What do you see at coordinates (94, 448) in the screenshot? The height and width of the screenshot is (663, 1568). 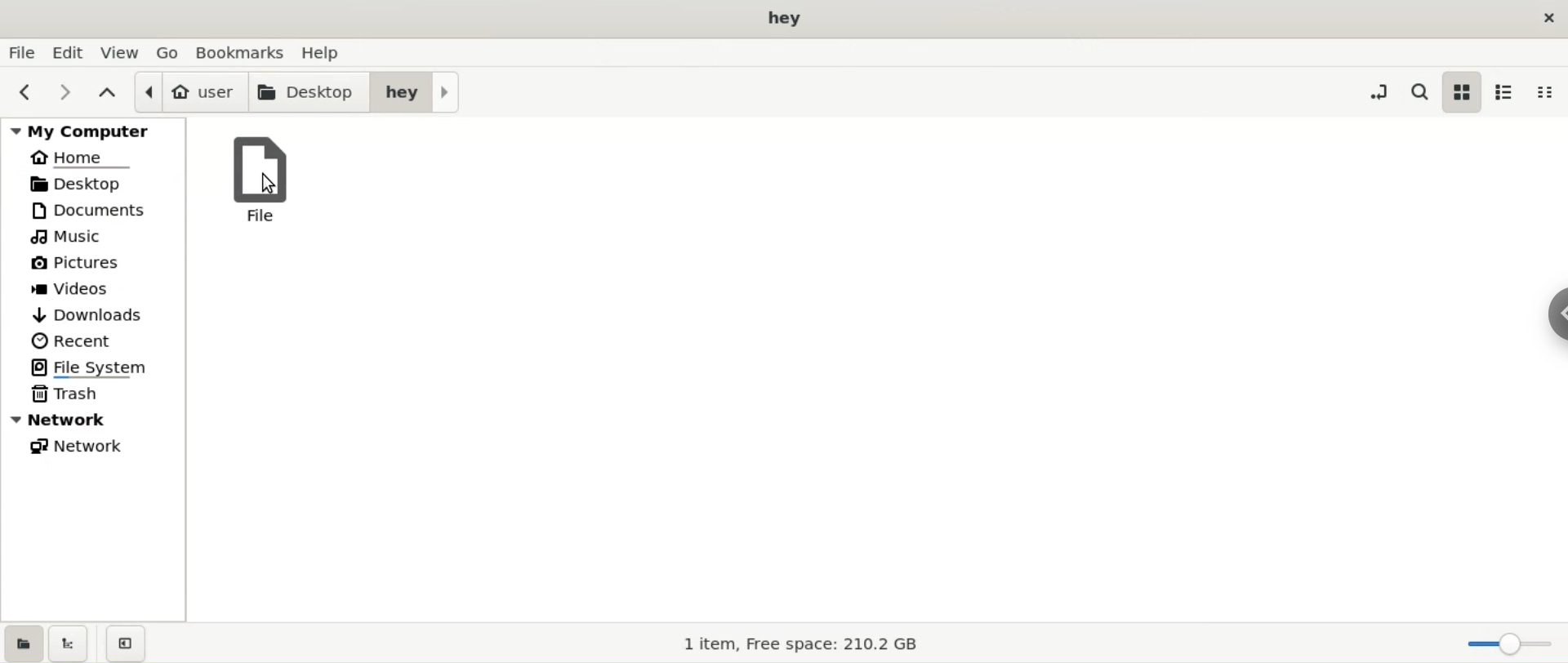 I see `network` at bounding box center [94, 448].